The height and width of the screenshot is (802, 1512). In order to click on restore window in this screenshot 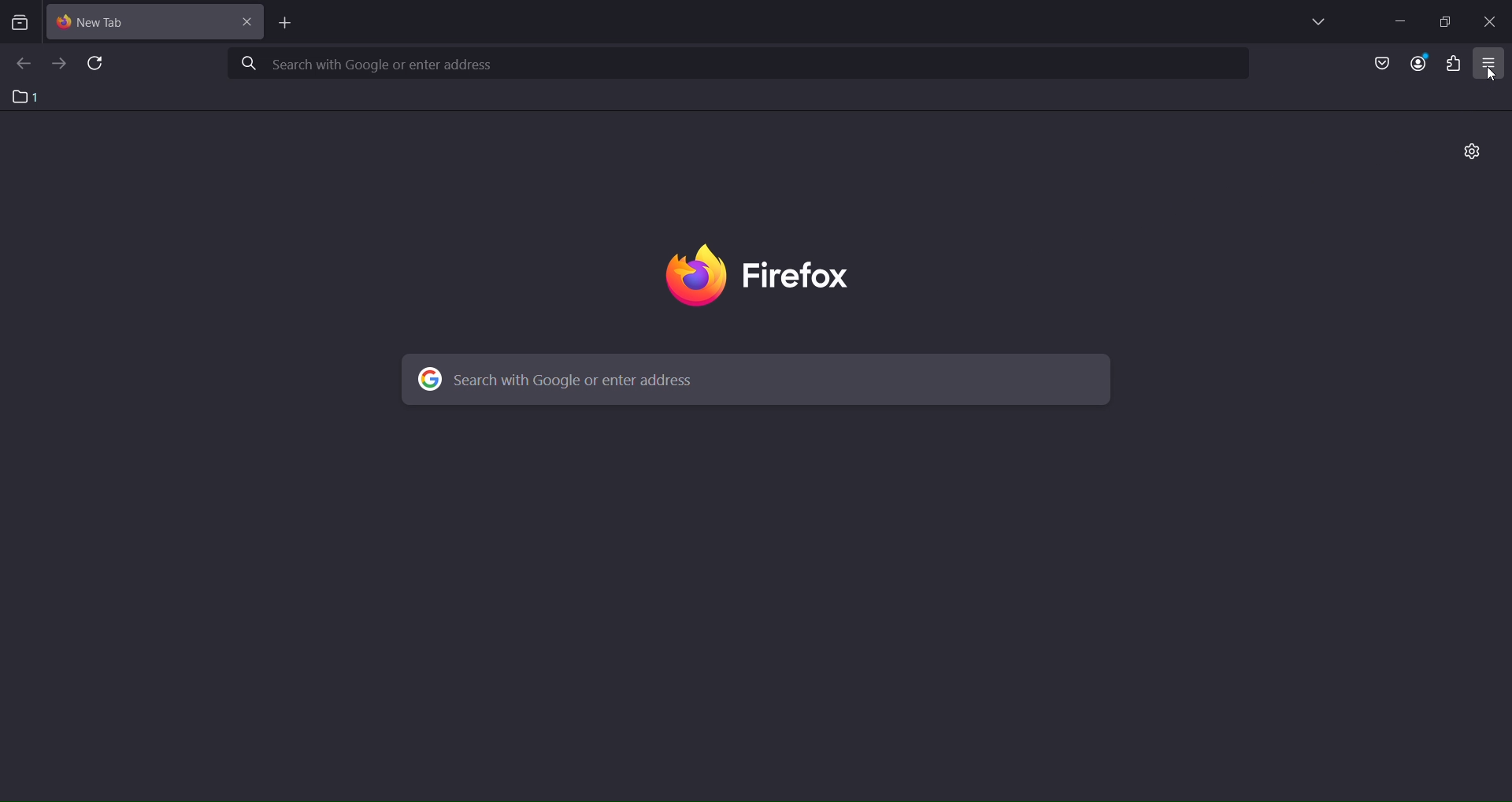, I will do `click(1444, 21)`.